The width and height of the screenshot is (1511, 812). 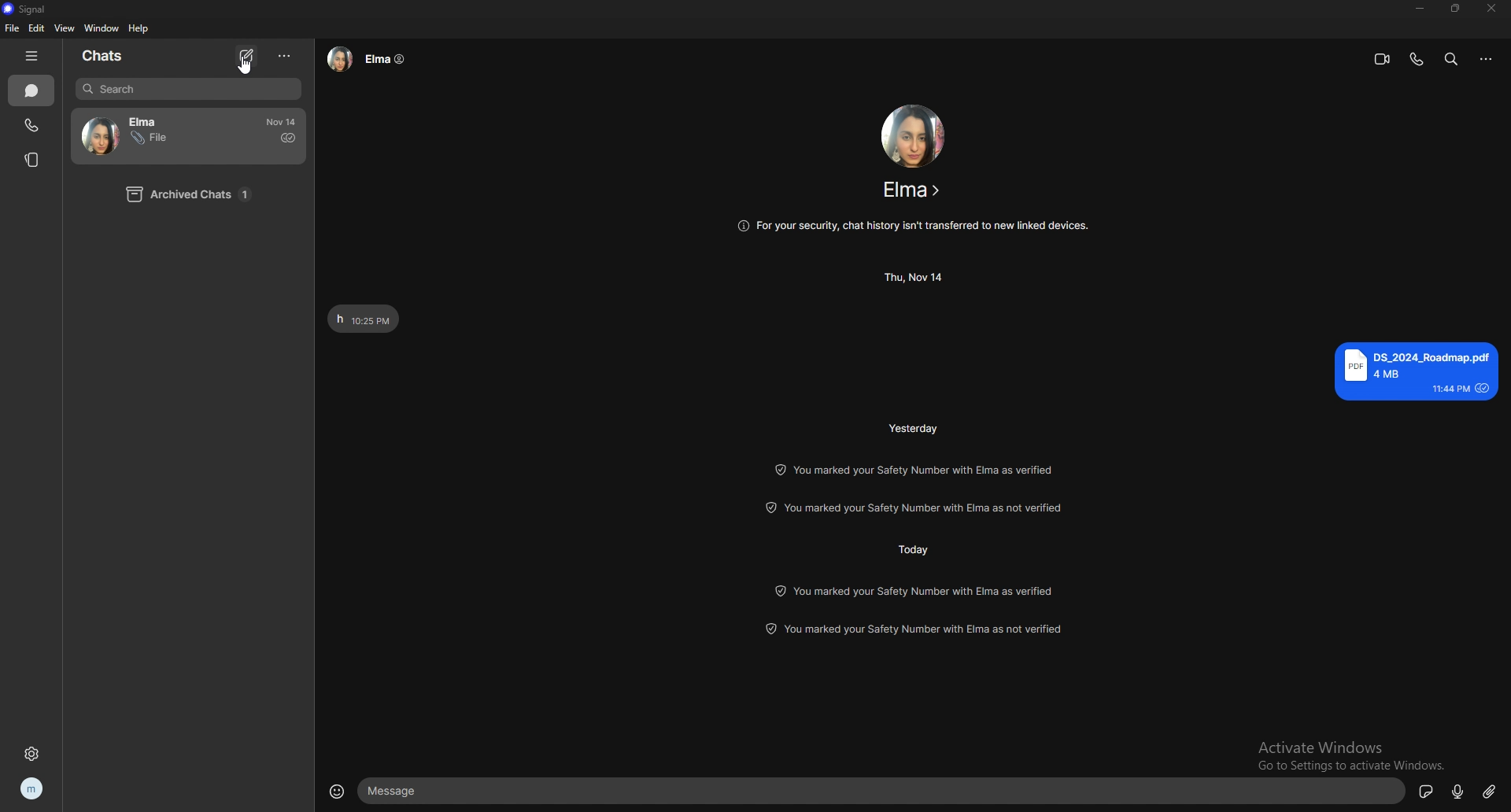 What do you see at coordinates (140, 28) in the screenshot?
I see `help` at bounding box center [140, 28].